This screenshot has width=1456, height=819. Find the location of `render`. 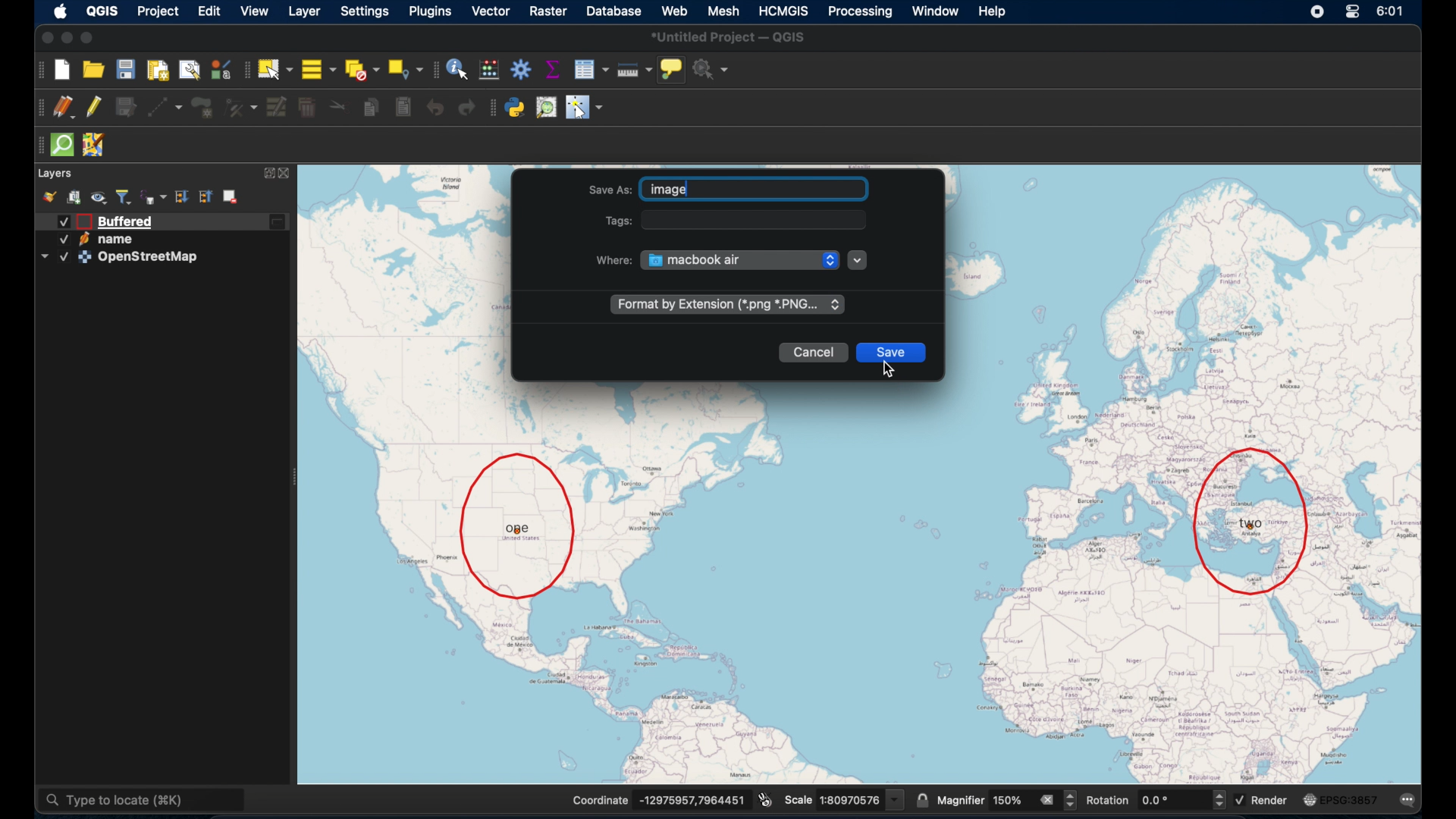

render is located at coordinates (1270, 799).